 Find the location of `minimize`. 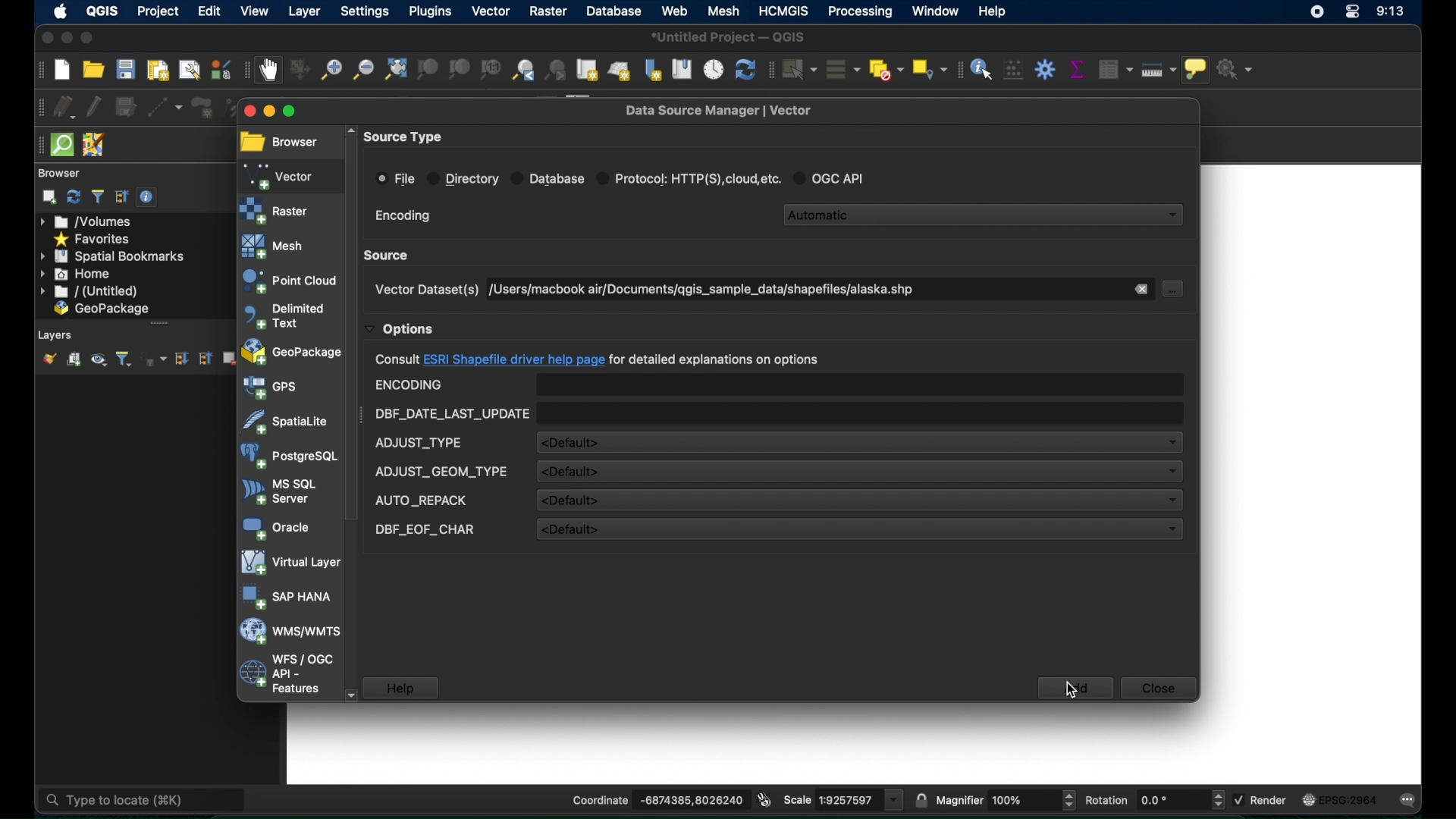

minimize is located at coordinates (271, 112).